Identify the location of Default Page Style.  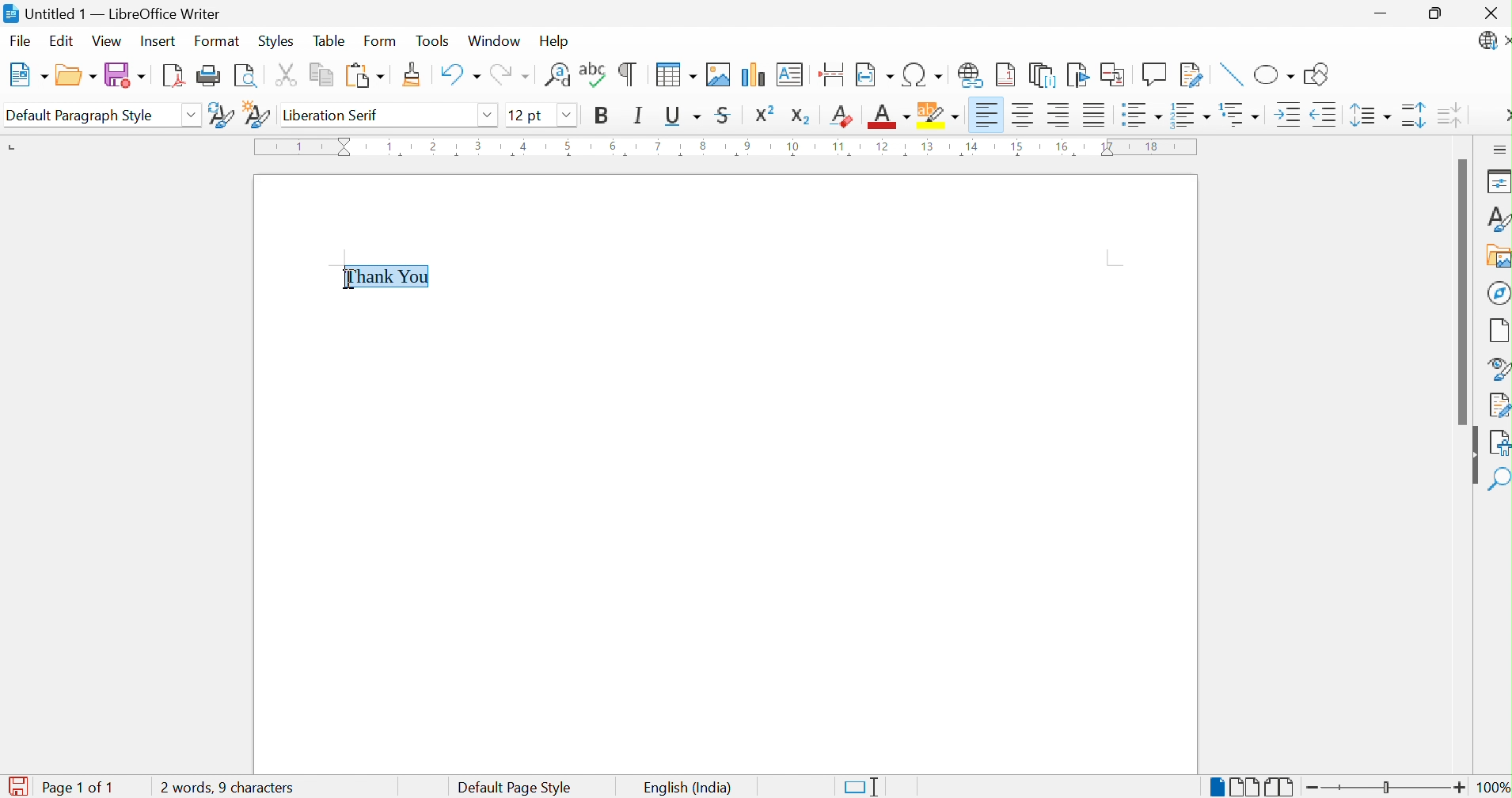
(516, 786).